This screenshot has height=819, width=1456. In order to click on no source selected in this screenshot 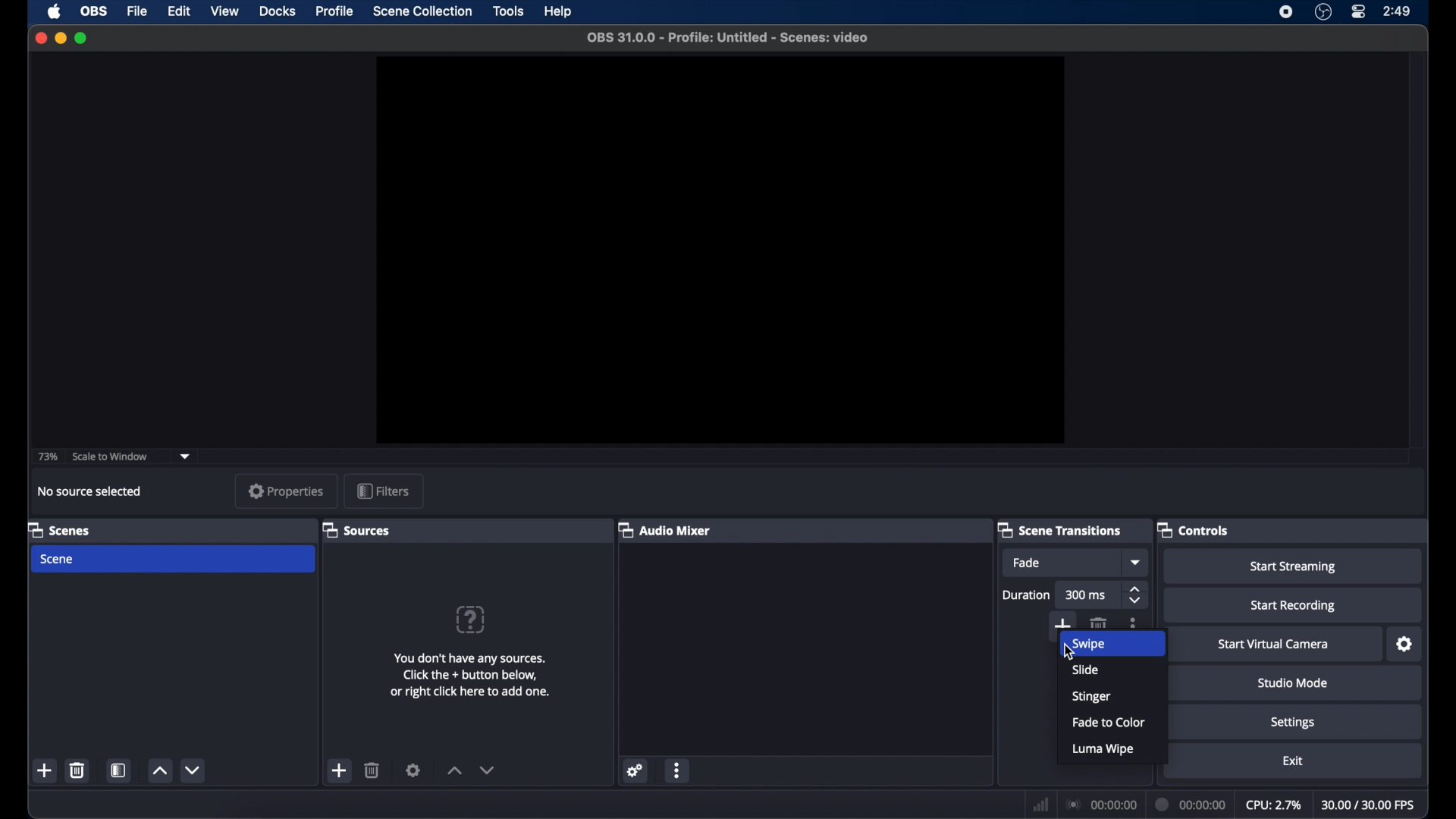, I will do `click(91, 491)`.